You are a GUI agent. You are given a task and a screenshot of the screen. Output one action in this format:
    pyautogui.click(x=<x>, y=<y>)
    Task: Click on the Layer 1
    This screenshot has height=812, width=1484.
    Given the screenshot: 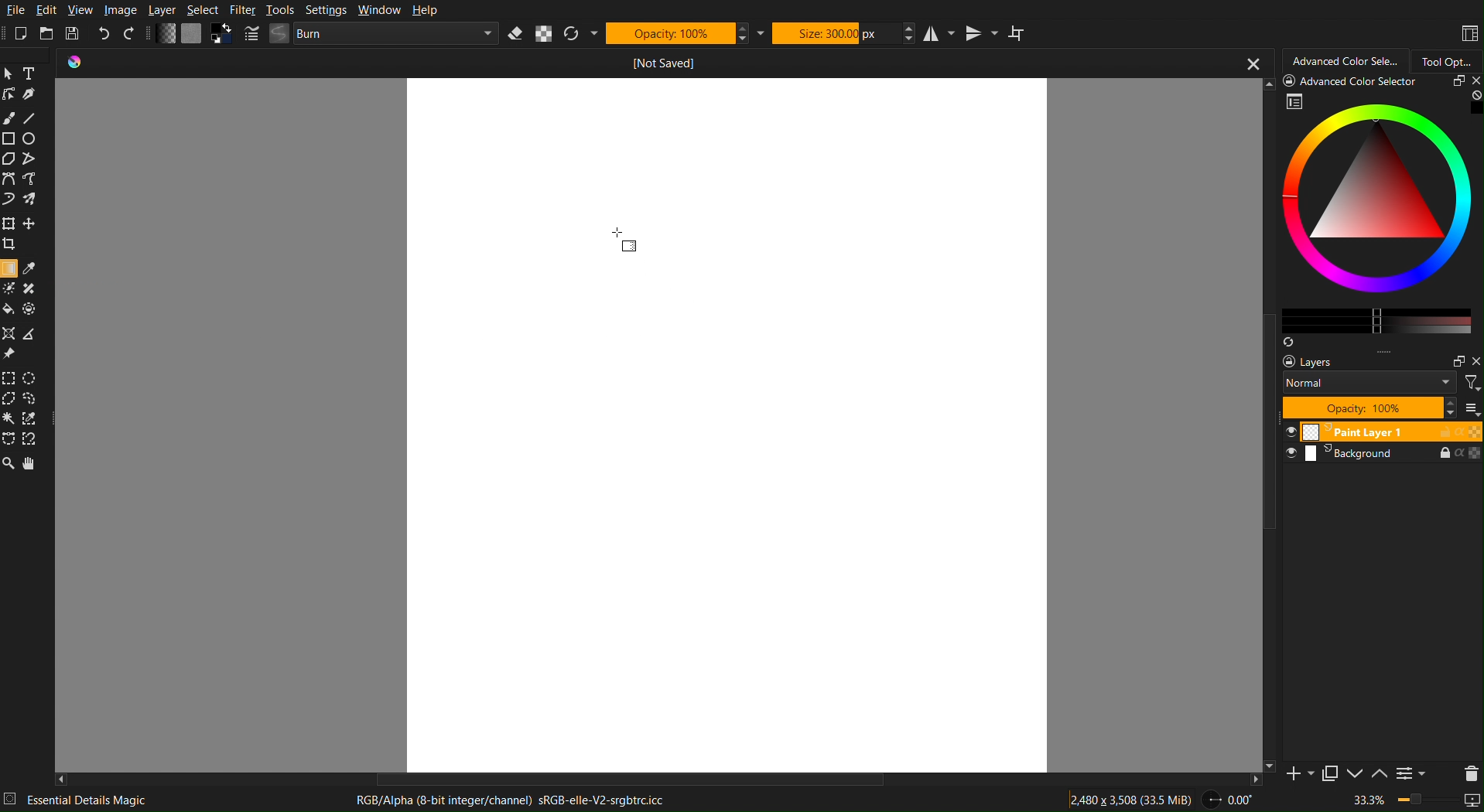 What is the action you would take?
    pyautogui.click(x=1381, y=432)
    